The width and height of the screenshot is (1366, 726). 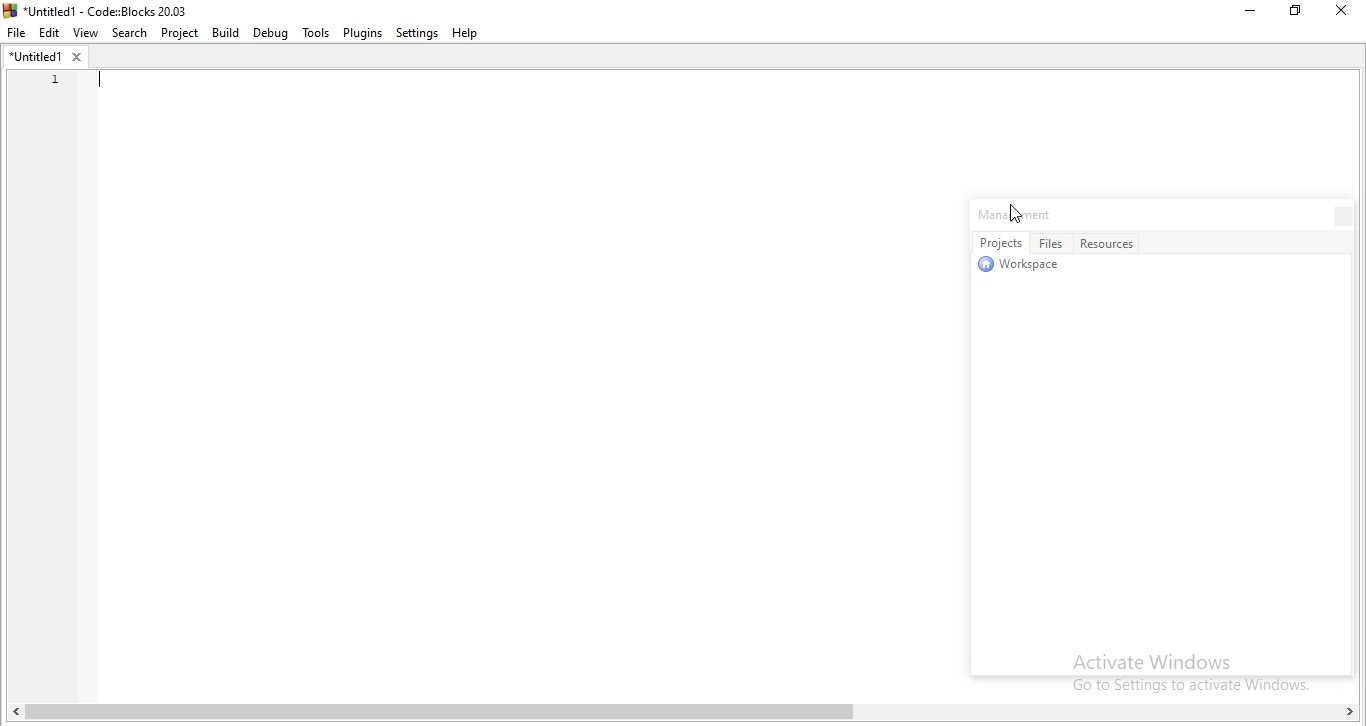 What do you see at coordinates (688, 714) in the screenshot?
I see `scroll bar` at bounding box center [688, 714].